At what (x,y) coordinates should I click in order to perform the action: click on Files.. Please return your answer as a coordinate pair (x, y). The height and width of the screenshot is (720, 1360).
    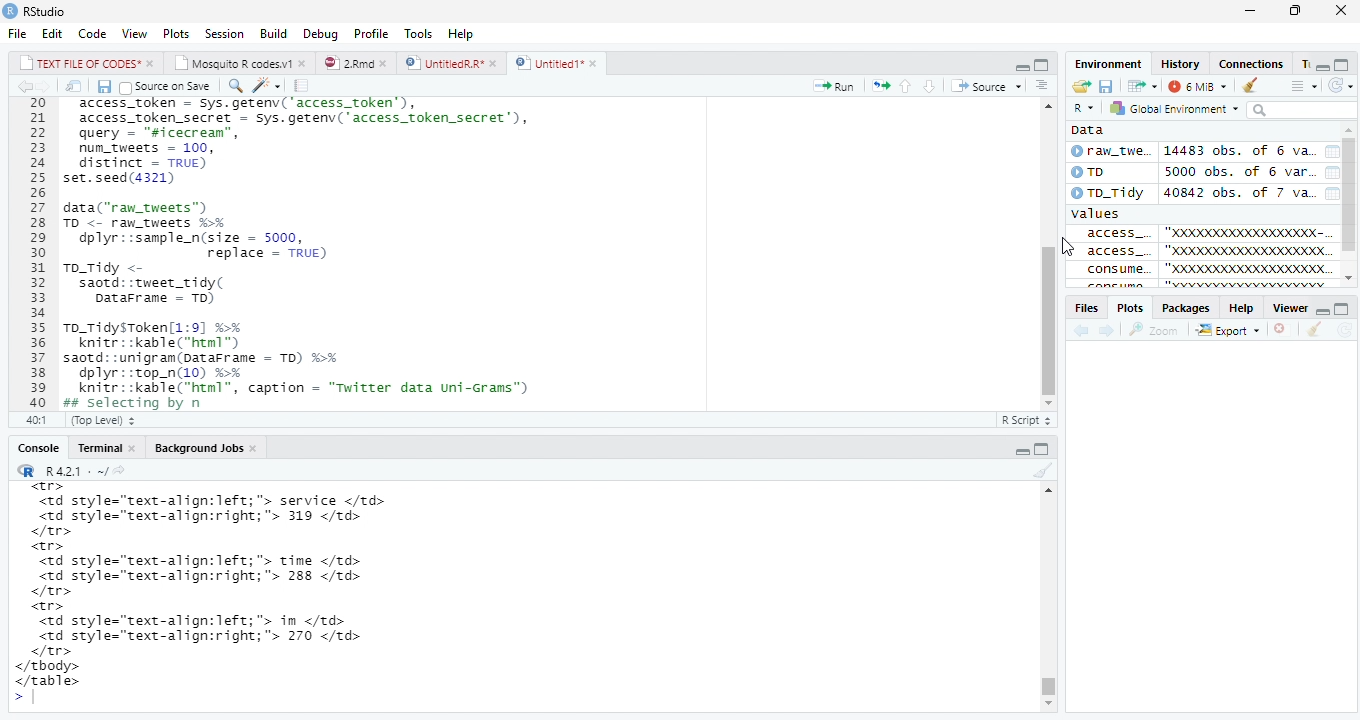
    Looking at the image, I should click on (1085, 307).